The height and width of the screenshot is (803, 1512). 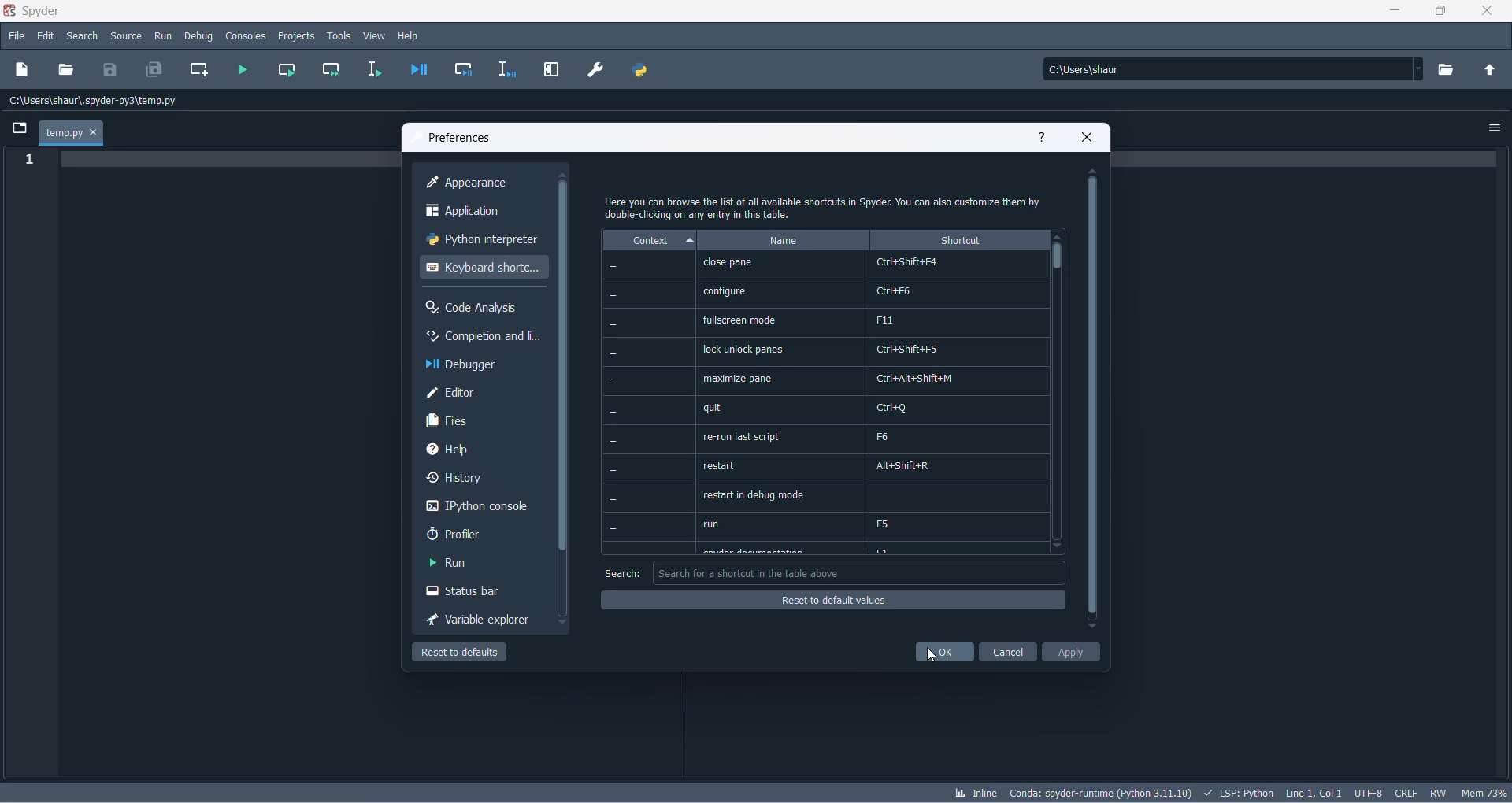 I want to click on spyder version, so click(x=1099, y=792).